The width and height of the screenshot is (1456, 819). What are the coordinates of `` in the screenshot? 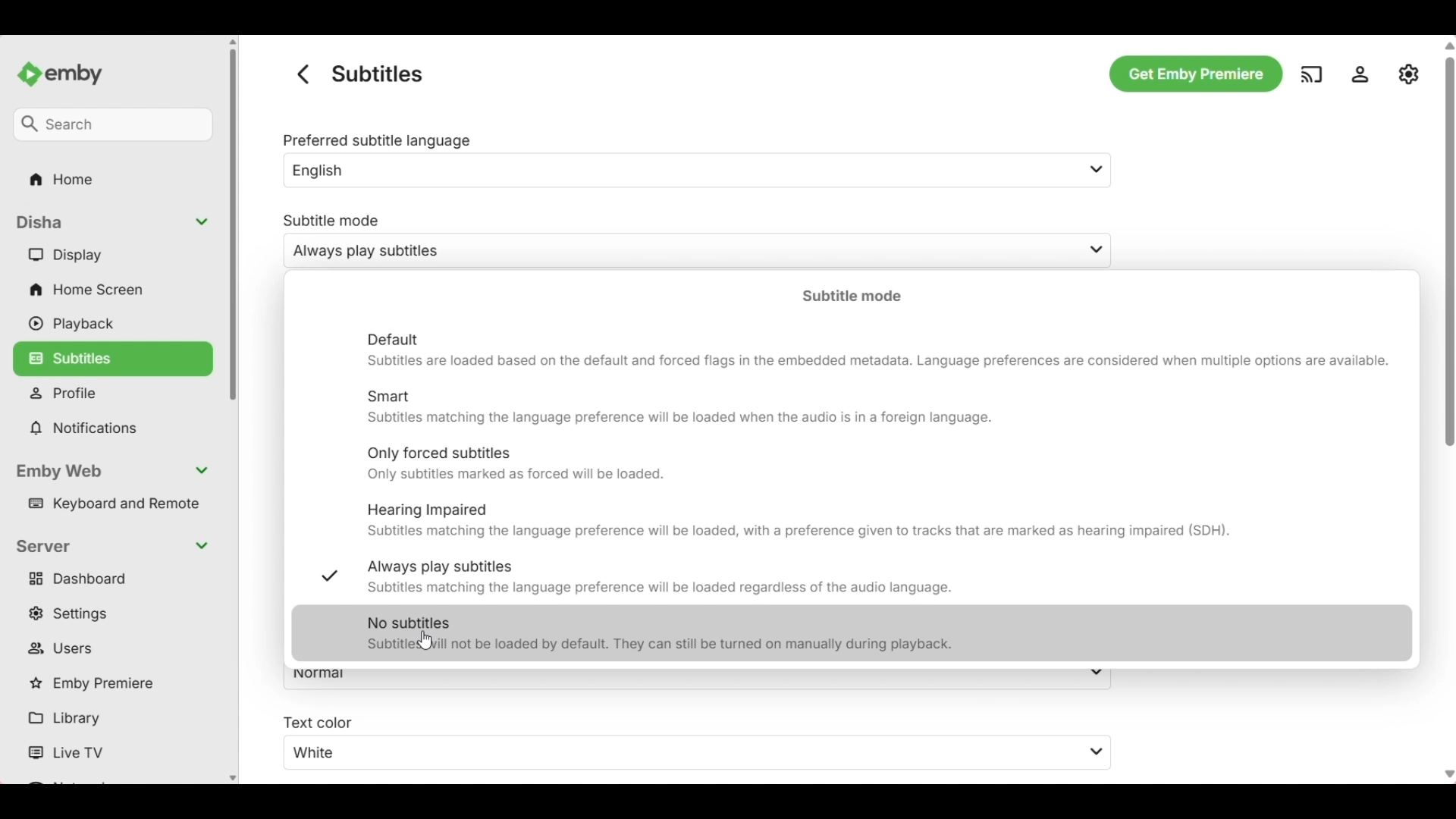 It's located at (68, 69).